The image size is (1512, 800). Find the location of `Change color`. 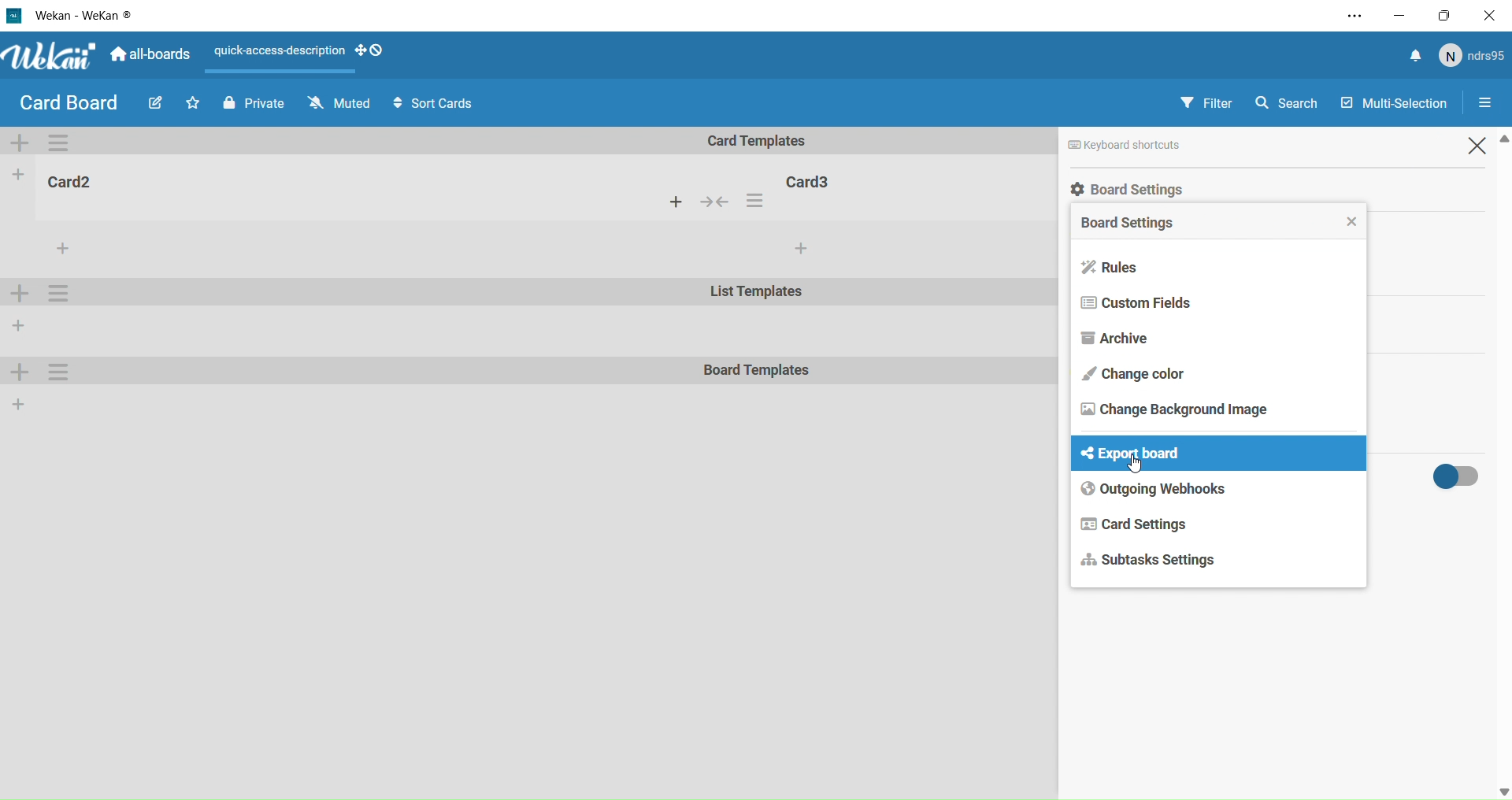

Change color is located at coordinates (1145, 372).